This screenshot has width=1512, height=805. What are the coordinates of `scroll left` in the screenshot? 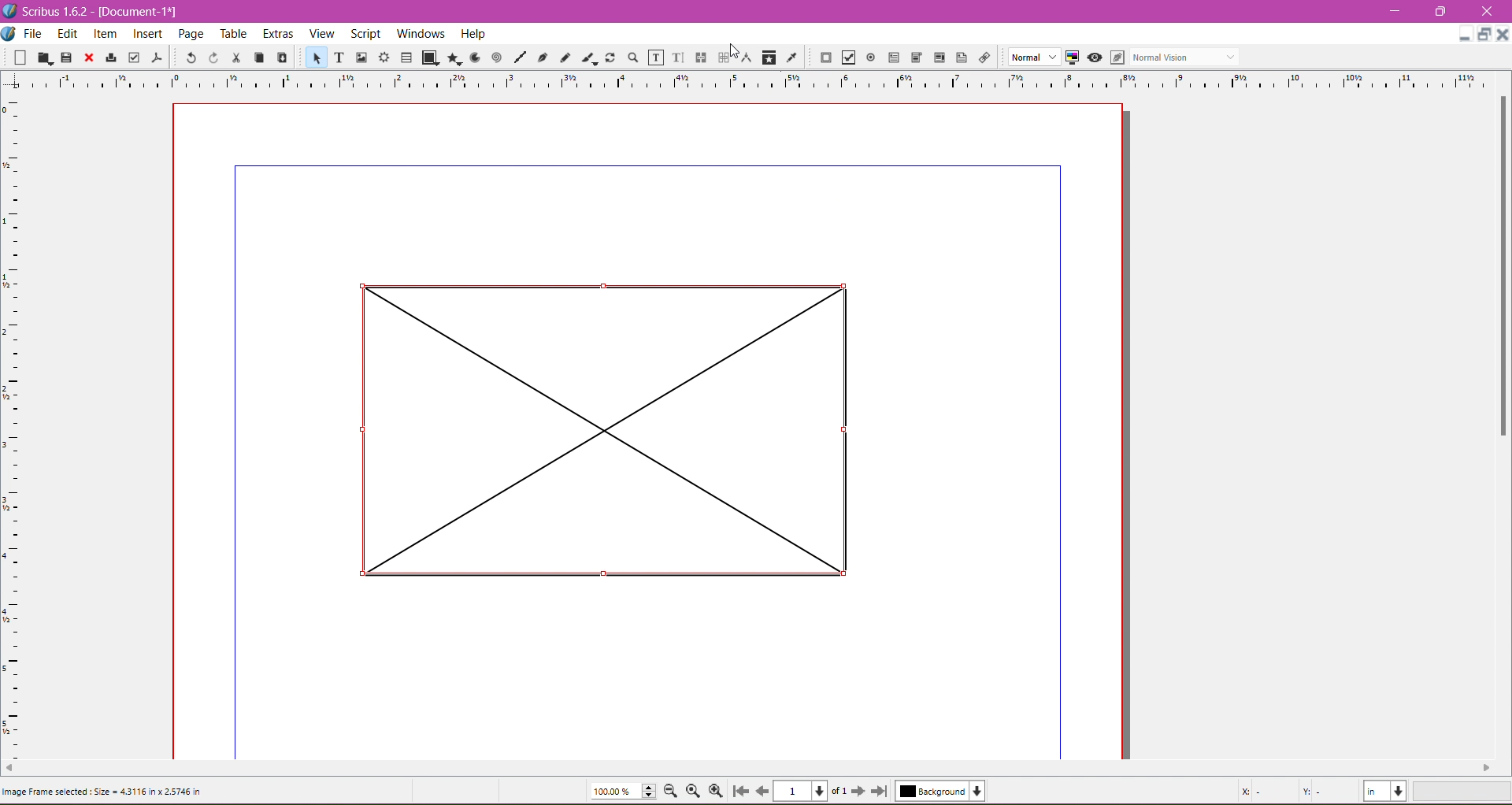 It's located at (9, 770).